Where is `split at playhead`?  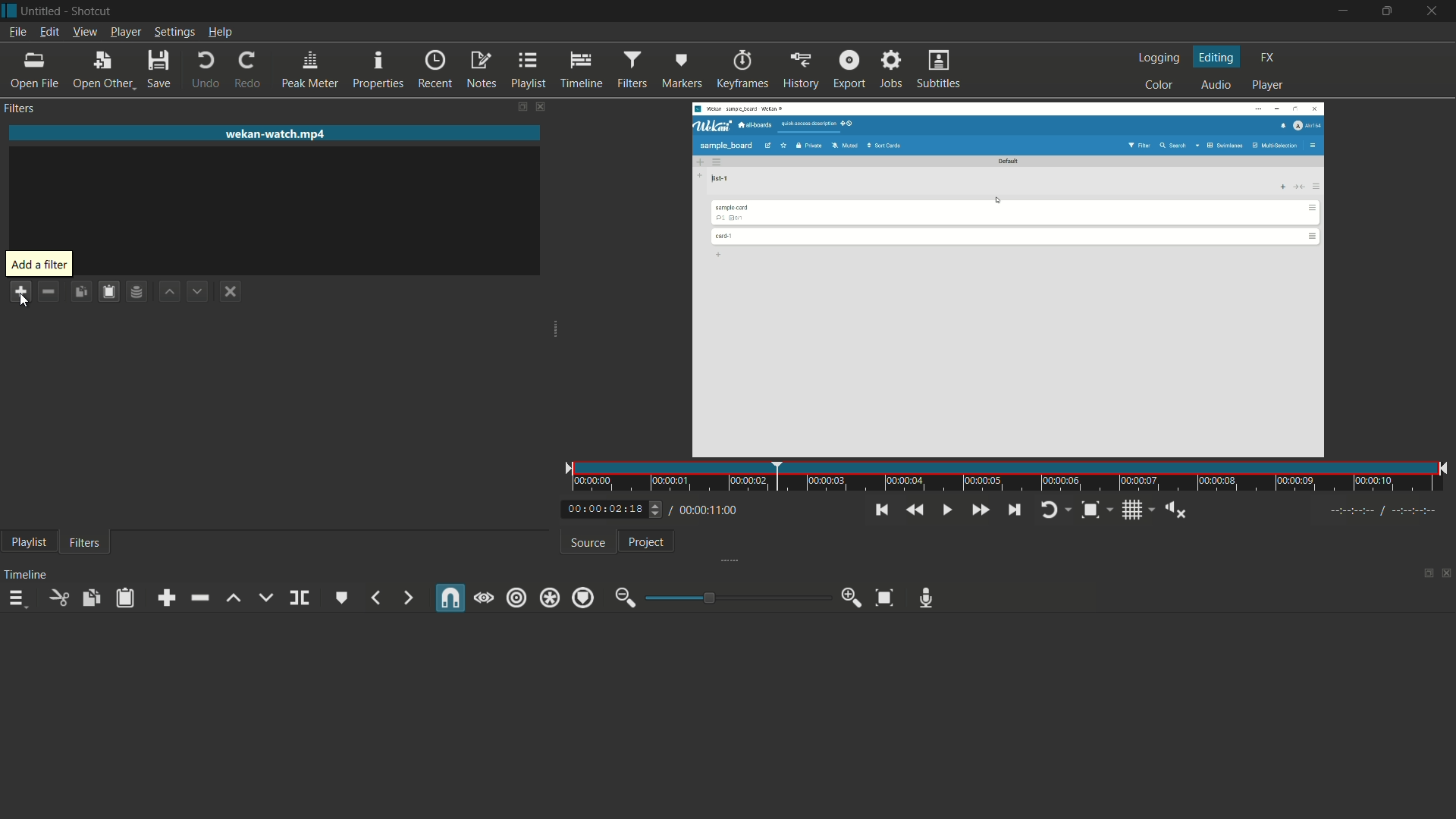 split at playhead is located at coordinates (300, 598).